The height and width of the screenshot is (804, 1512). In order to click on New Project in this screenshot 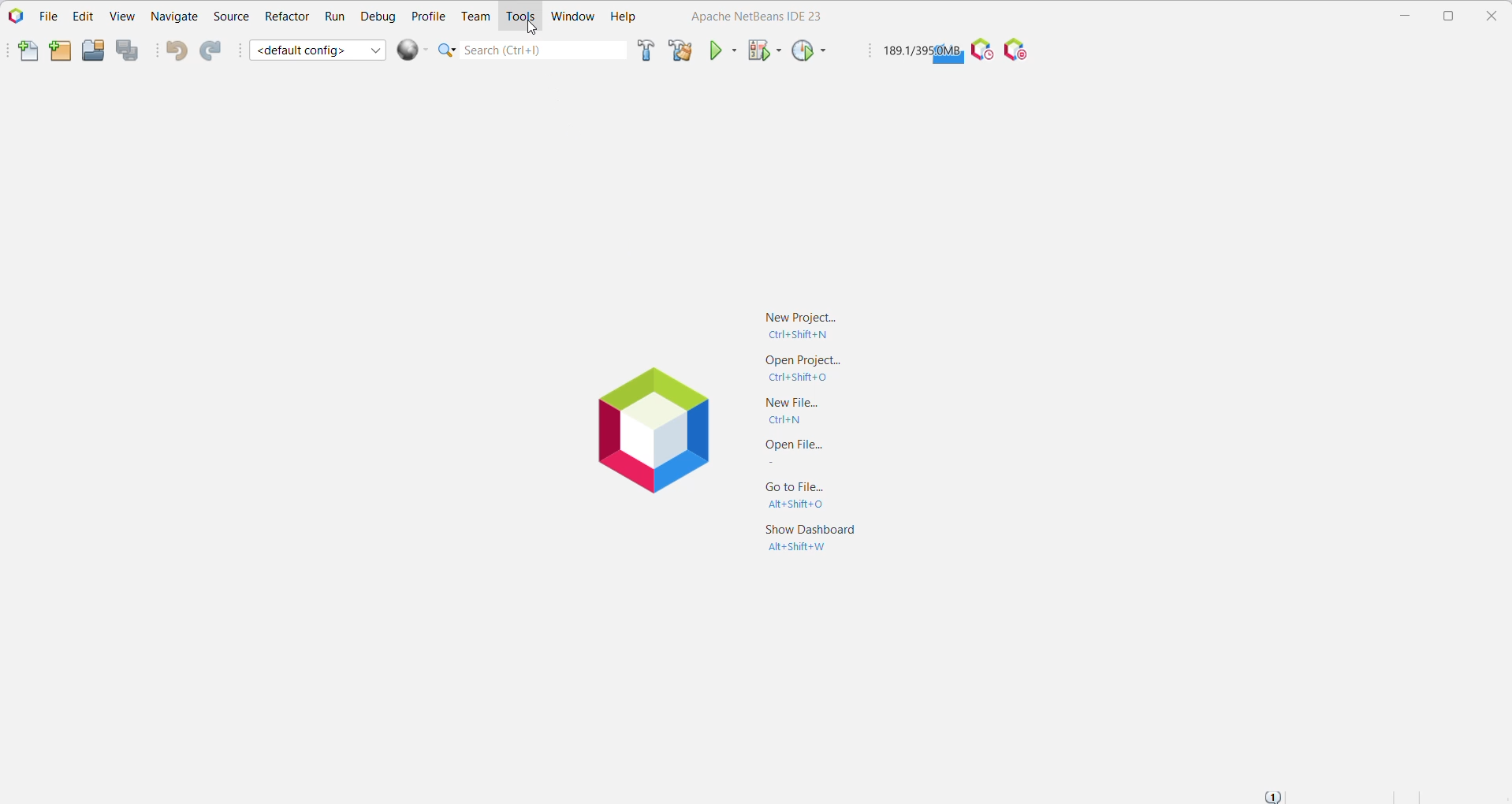, I will do `click(58, 51)`.